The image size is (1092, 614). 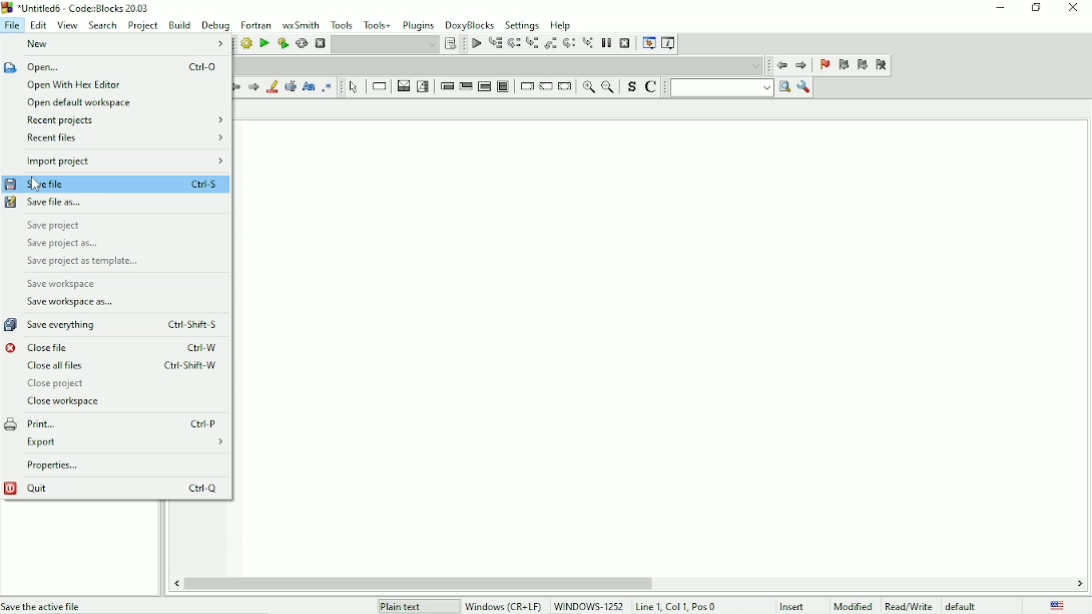 What do you see at coordinates (54, 225) in the screenshot?
I see `Save project` at bounding box center [54, 225].